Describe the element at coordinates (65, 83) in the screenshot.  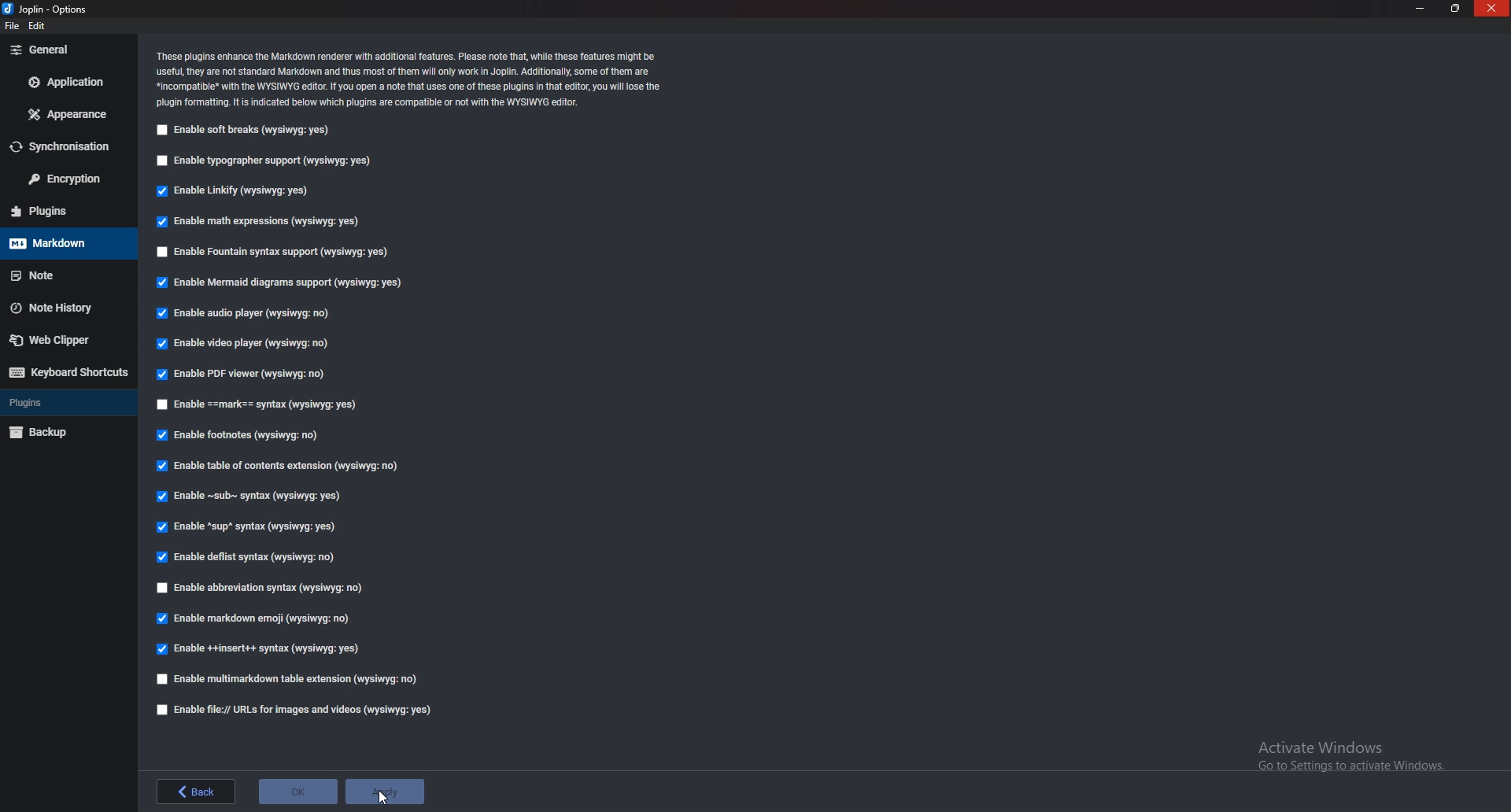
I see `Application` at that location.